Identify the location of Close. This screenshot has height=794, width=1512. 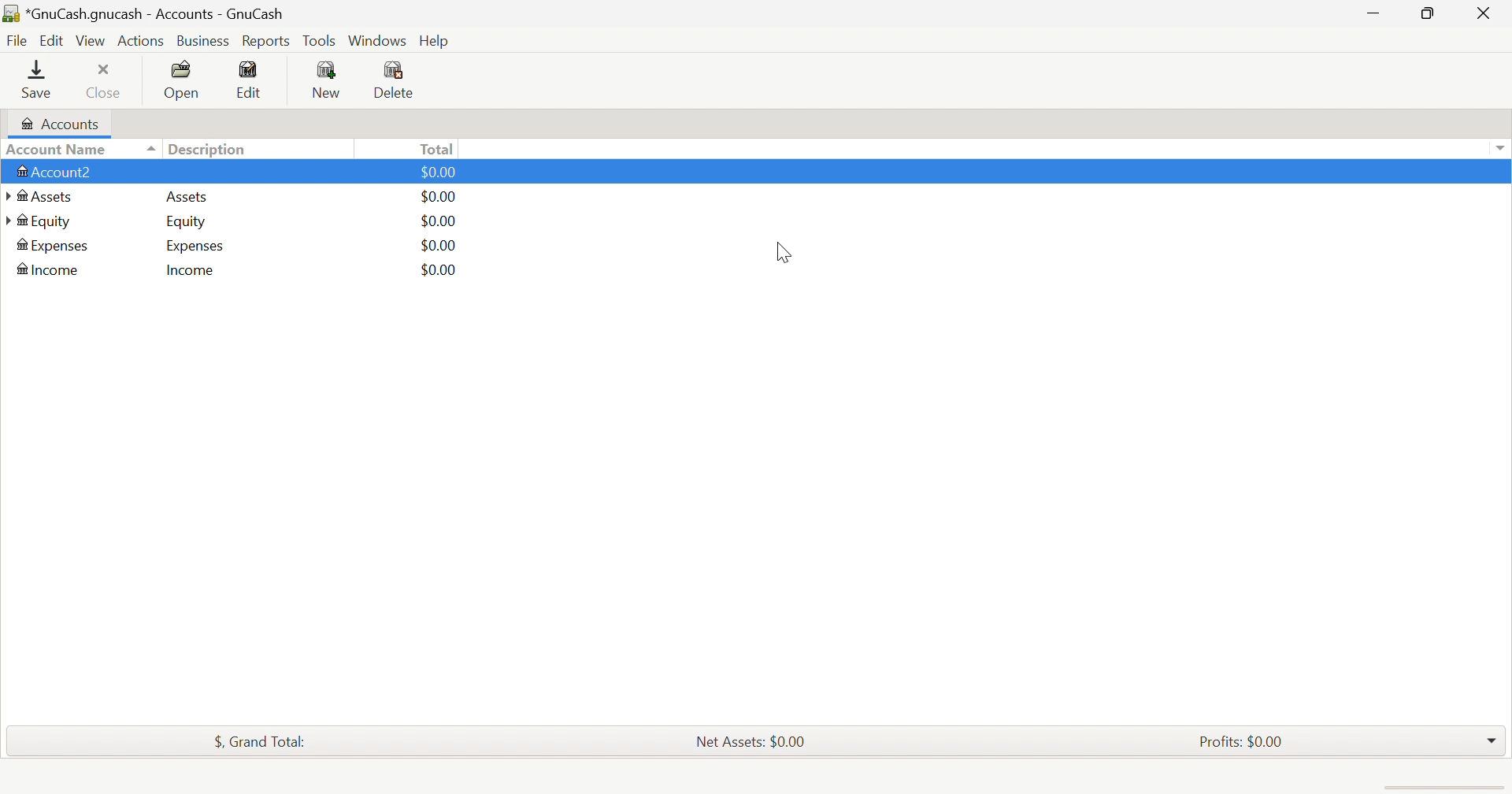
(1481, 13).